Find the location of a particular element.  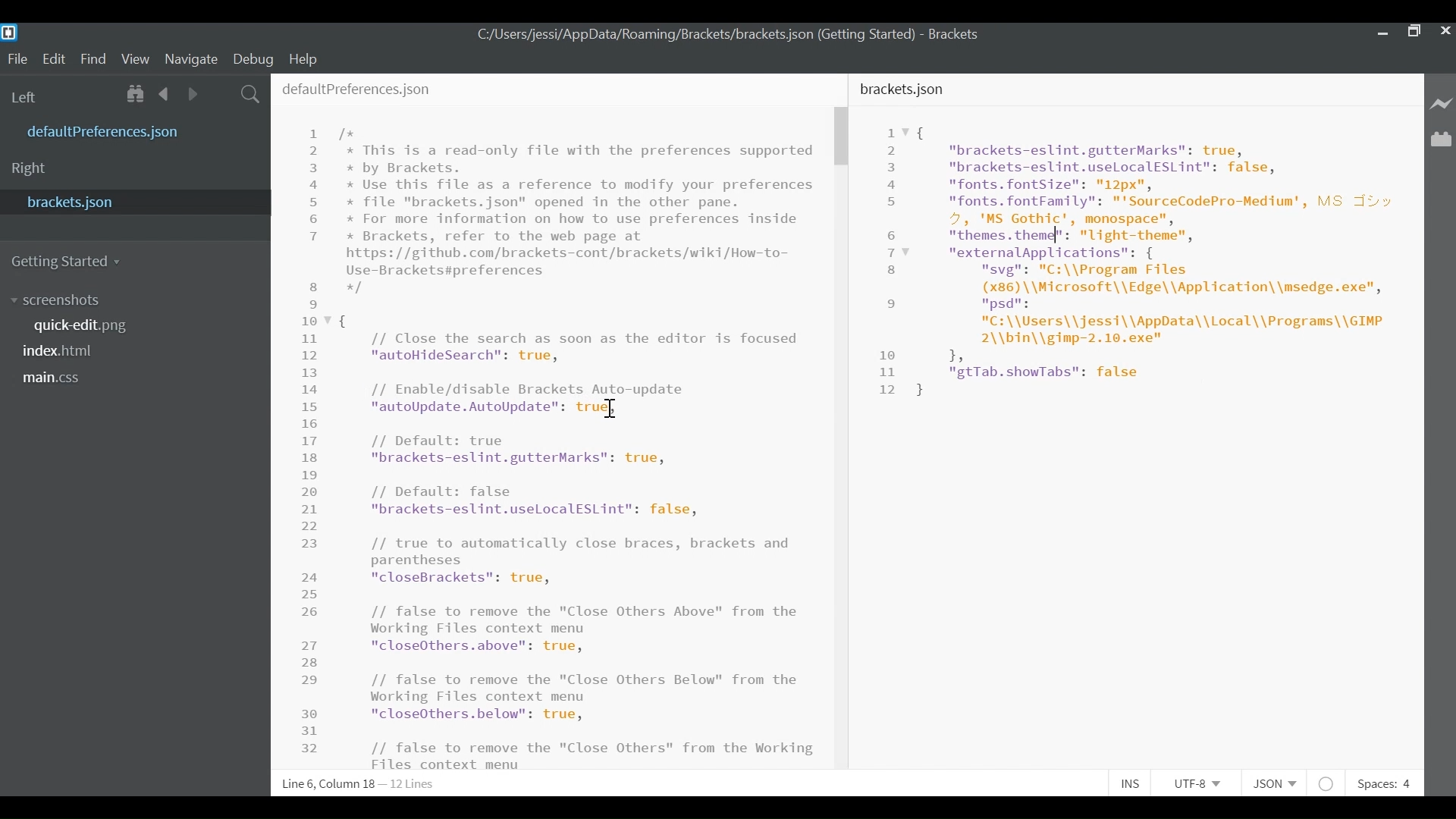

Navigate is located at coordinates (192, 58).